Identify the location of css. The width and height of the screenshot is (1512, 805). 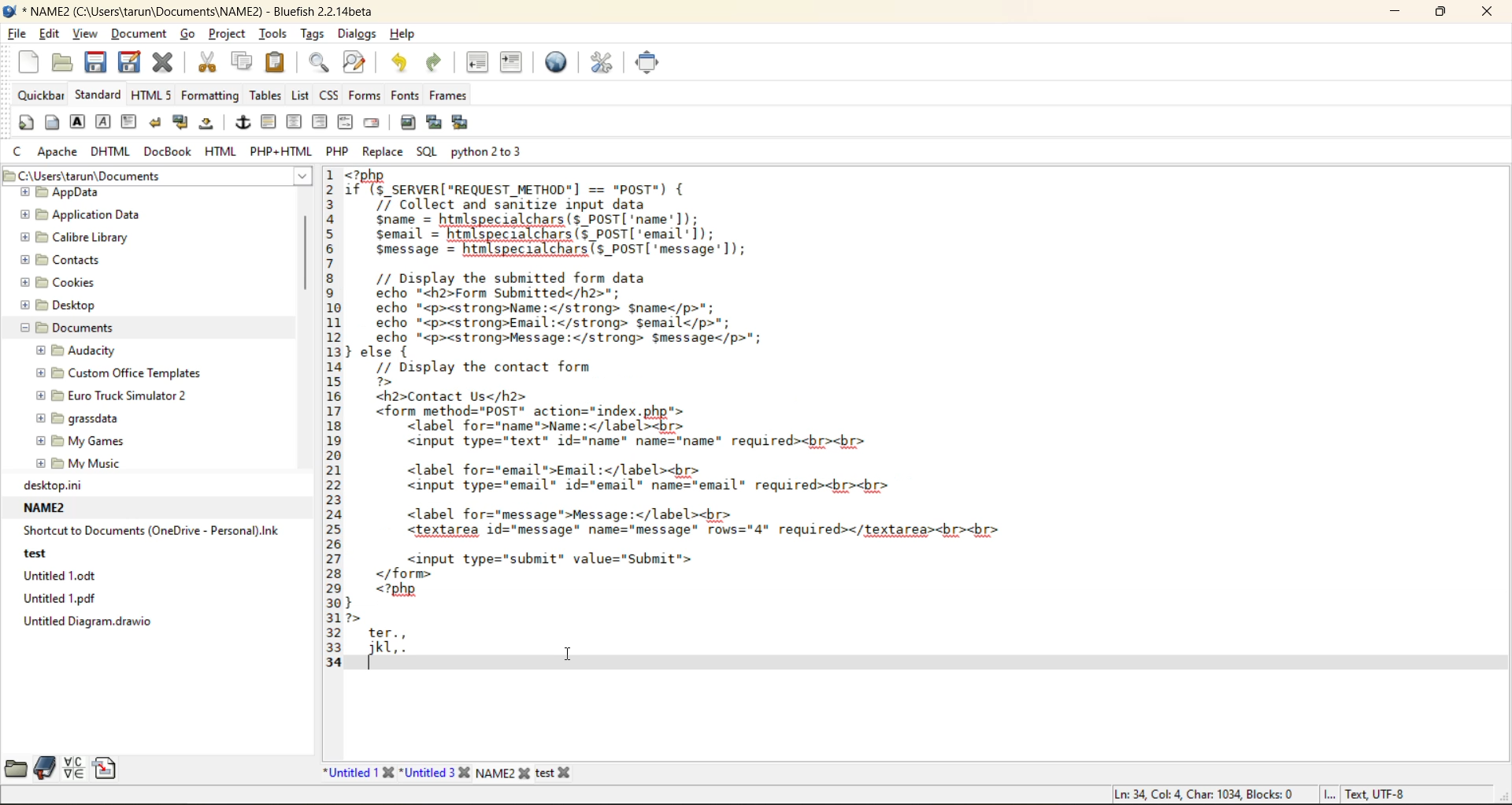
(330, 97).